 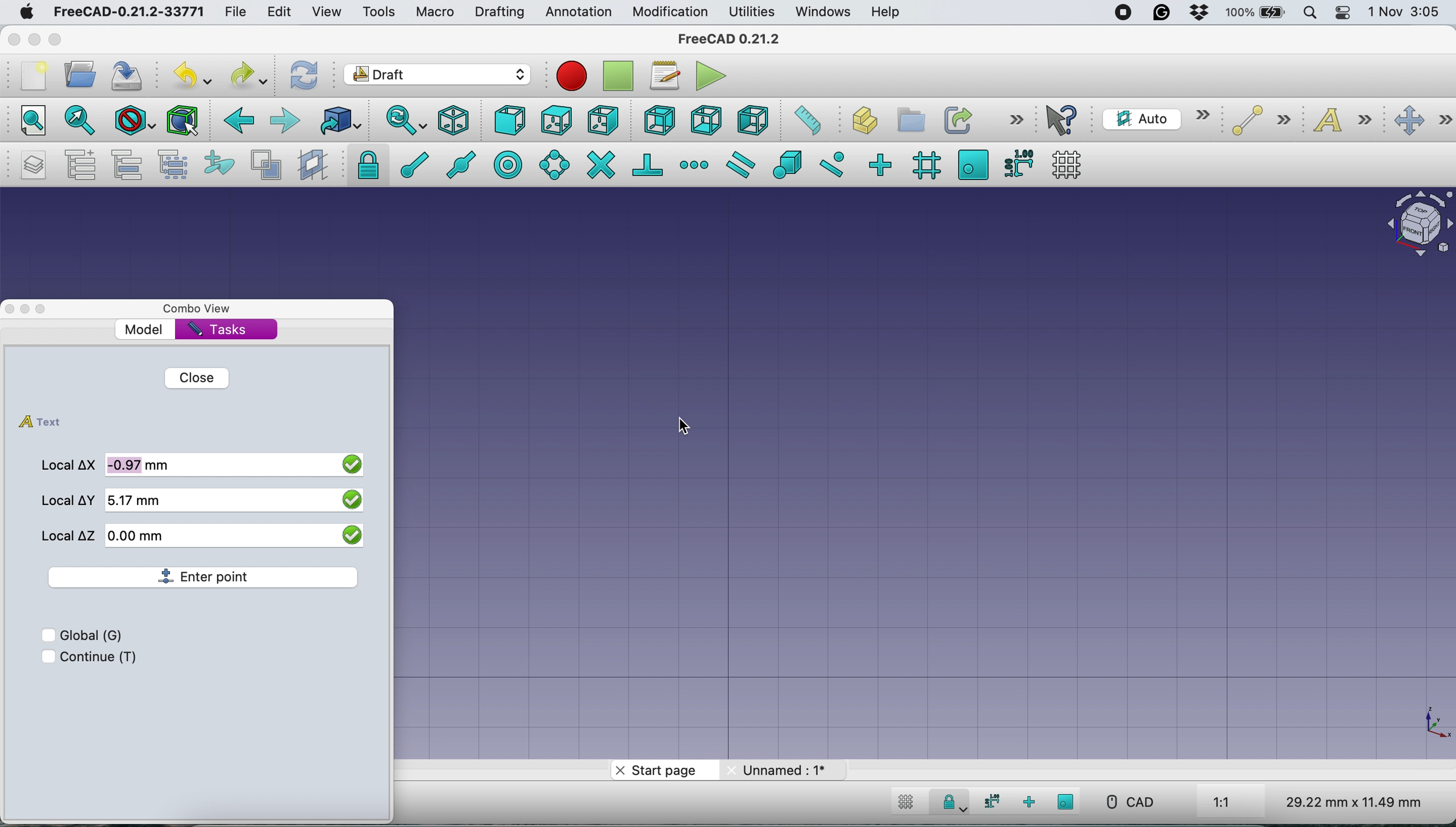 What do you see at coordinates (658, 120) in the screenshot?
I see `rear` at bounding box center [658, 120].